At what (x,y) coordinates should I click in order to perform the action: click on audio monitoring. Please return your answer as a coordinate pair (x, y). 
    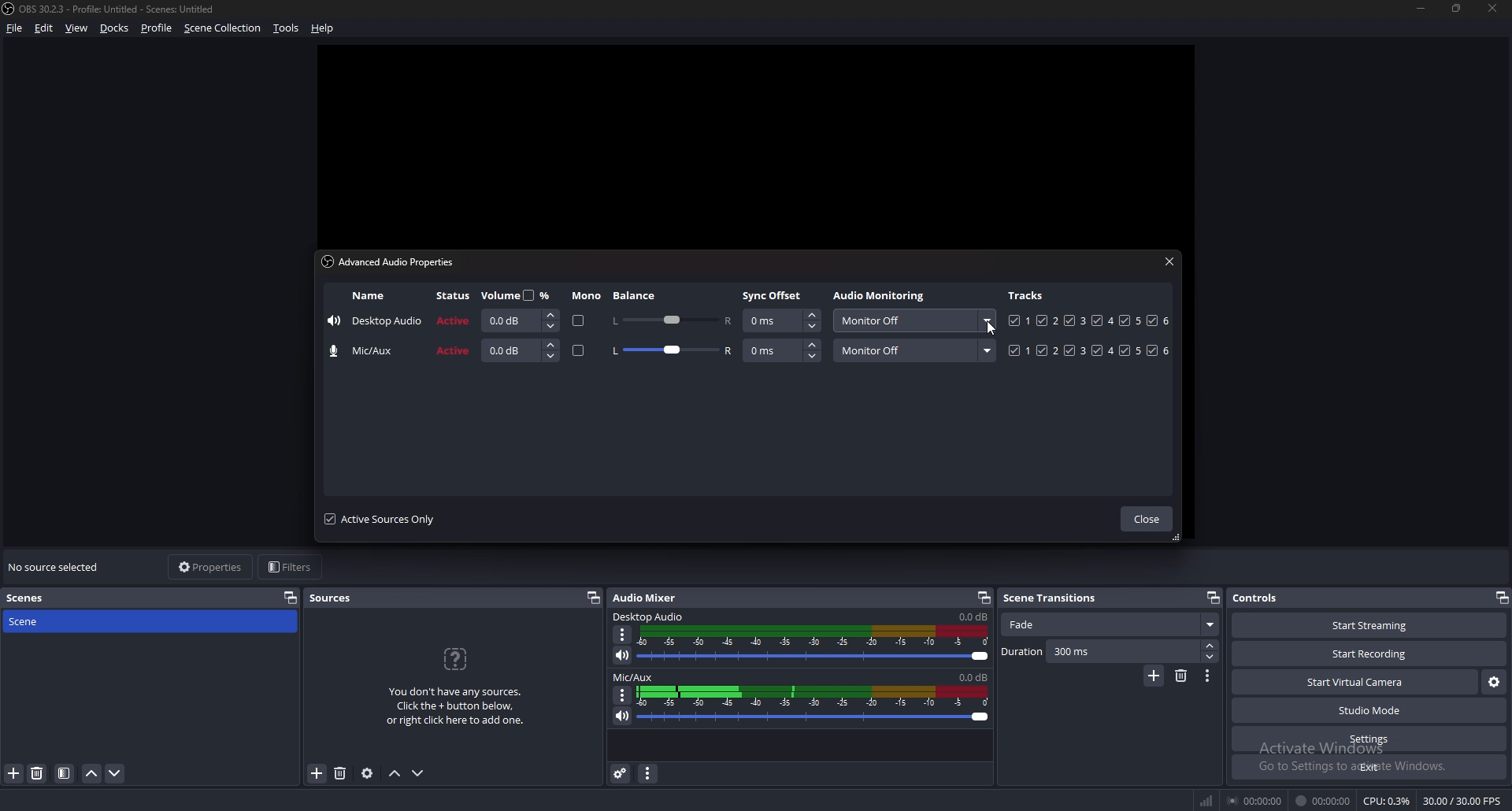
    Looking at the image, I should click on (913, 320).